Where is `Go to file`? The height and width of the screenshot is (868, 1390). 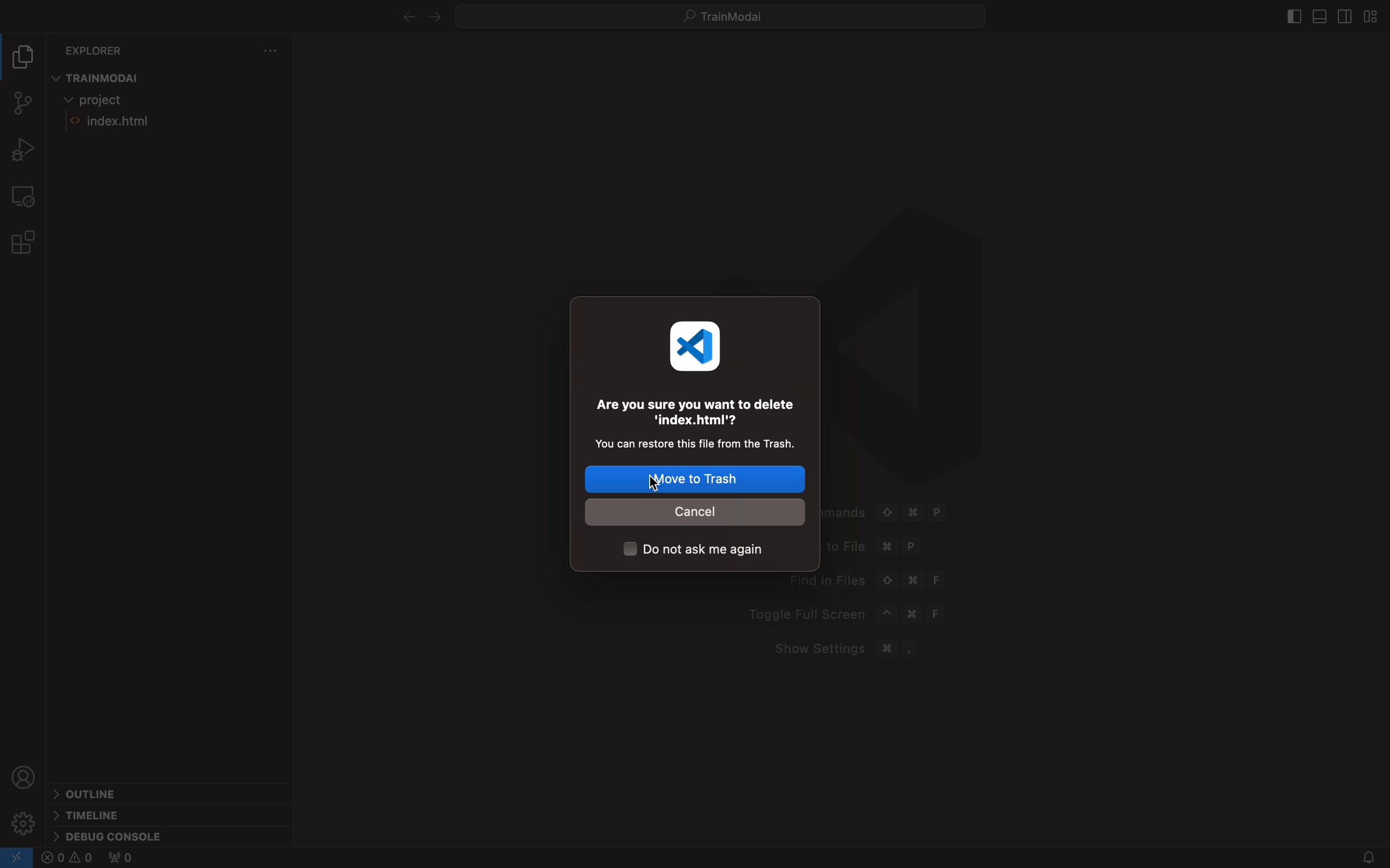 Go to file is located at coordinates (870, 548).